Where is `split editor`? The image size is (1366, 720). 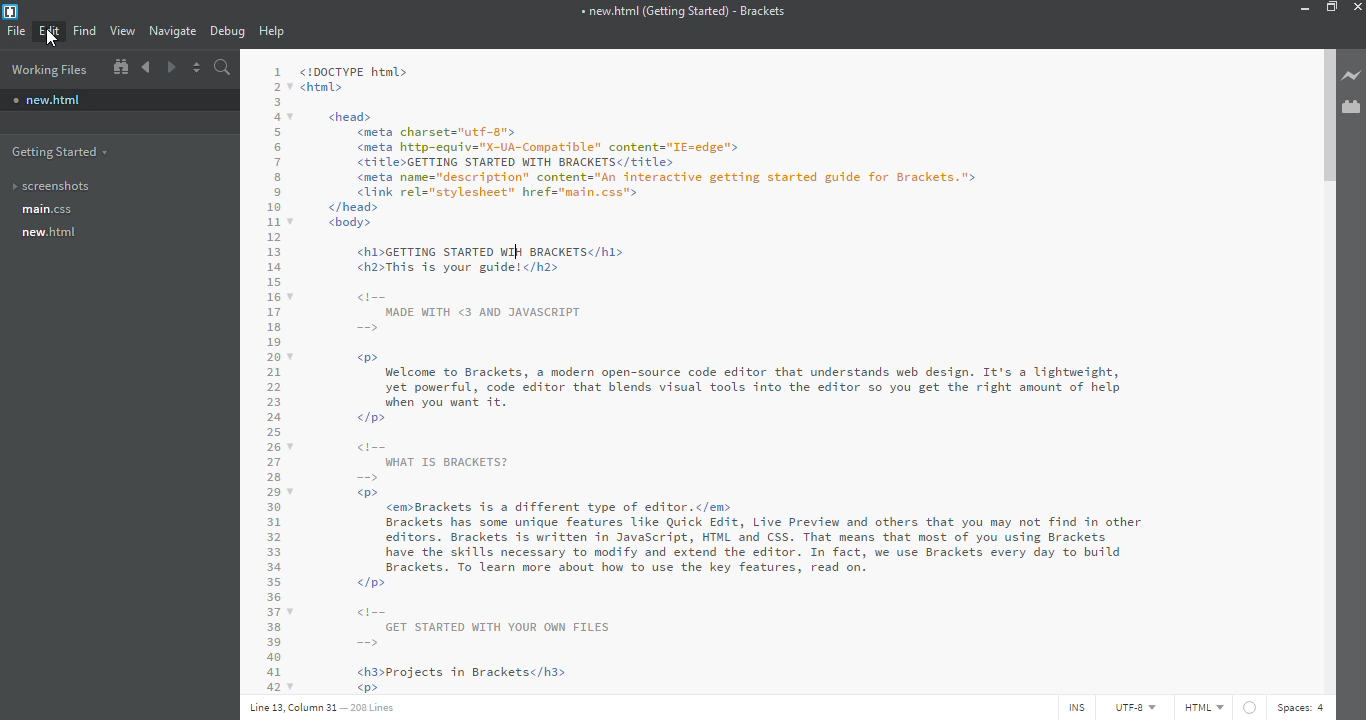
split editor is located at coordinates (196, 68).